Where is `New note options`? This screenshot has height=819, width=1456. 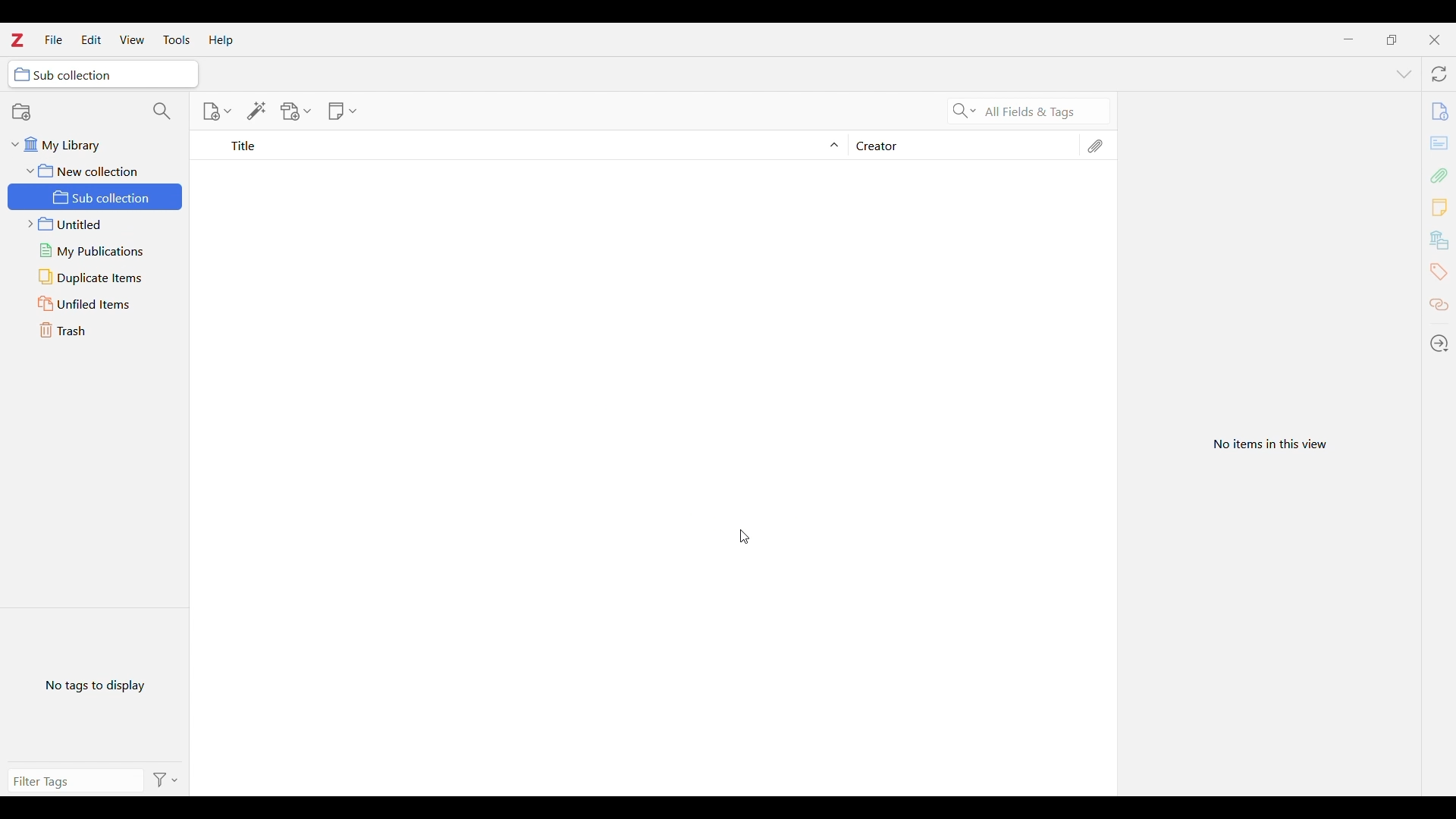
New note options is located at coordinates (342, 111).